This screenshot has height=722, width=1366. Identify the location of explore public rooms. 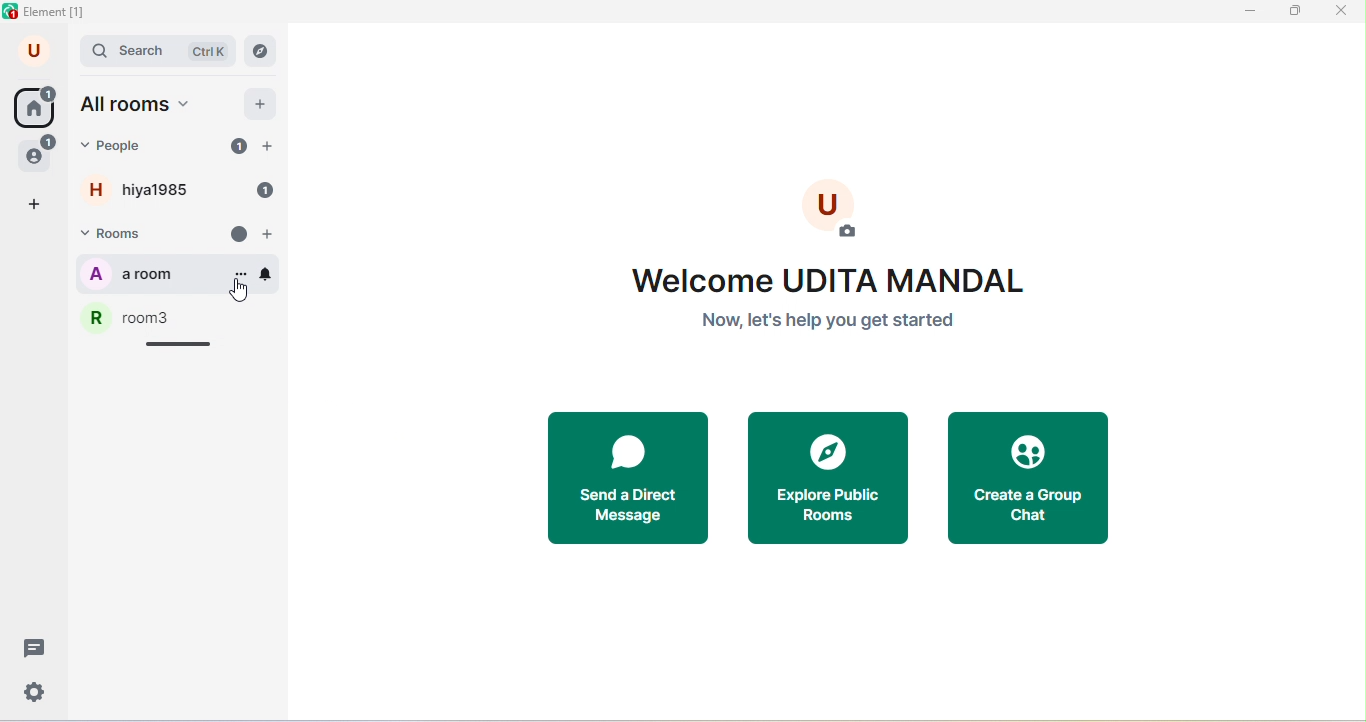
(836, 481).